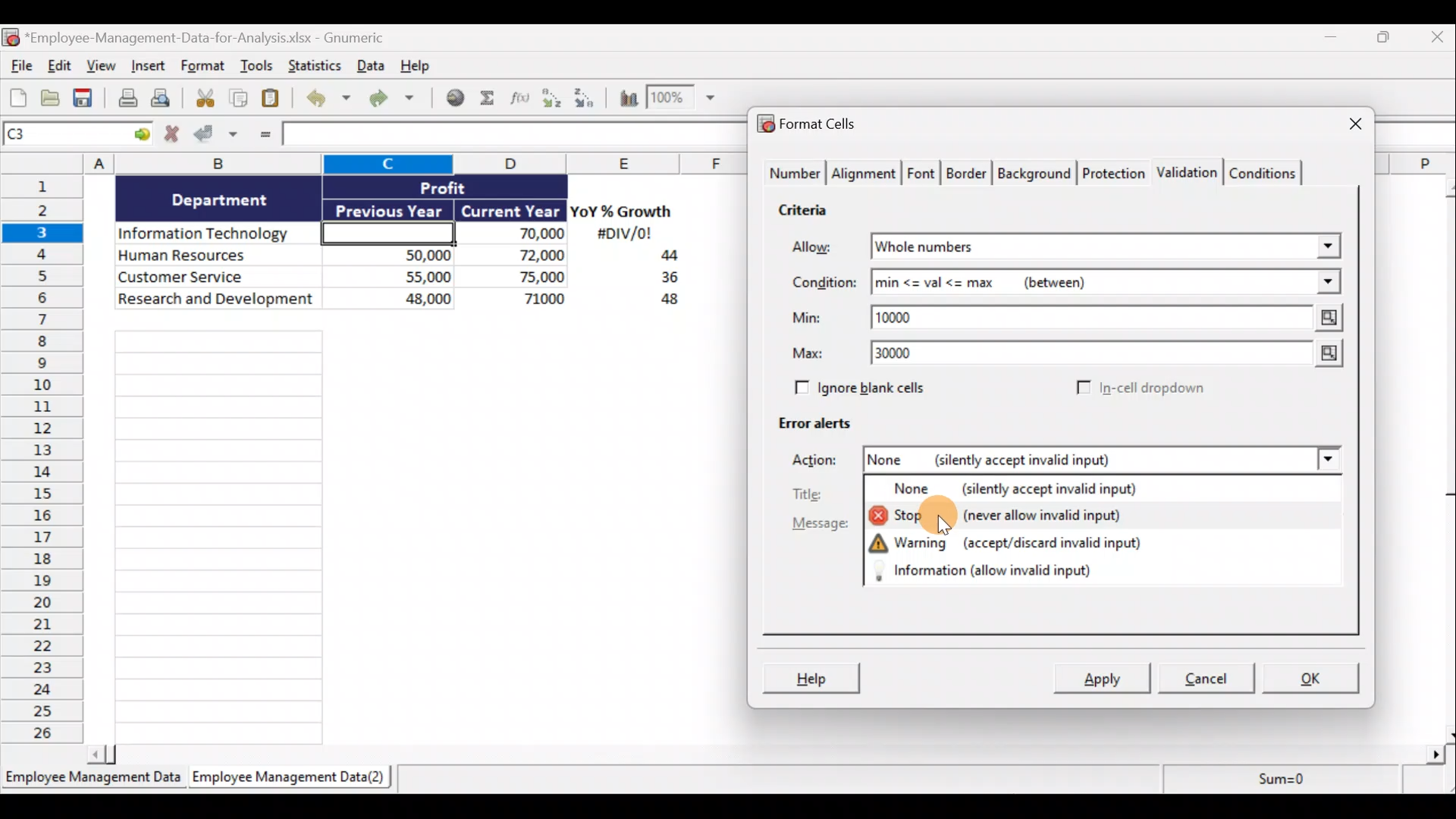  What do you see at coordinates (821, 430) in the screenshot?
I see `Error alerts` at bounding box center [821, 430].